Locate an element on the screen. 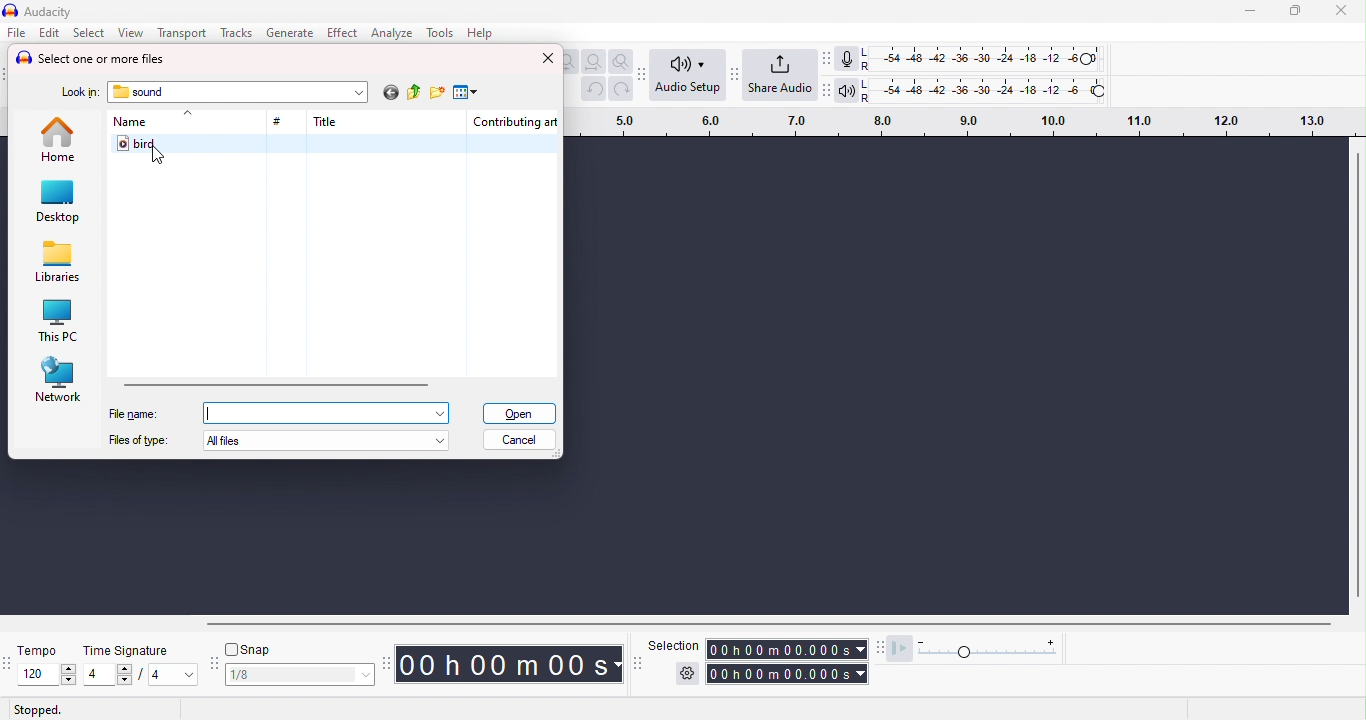 This screenshot has width=1366, height=720. selection is located at coordinates (673, 644).